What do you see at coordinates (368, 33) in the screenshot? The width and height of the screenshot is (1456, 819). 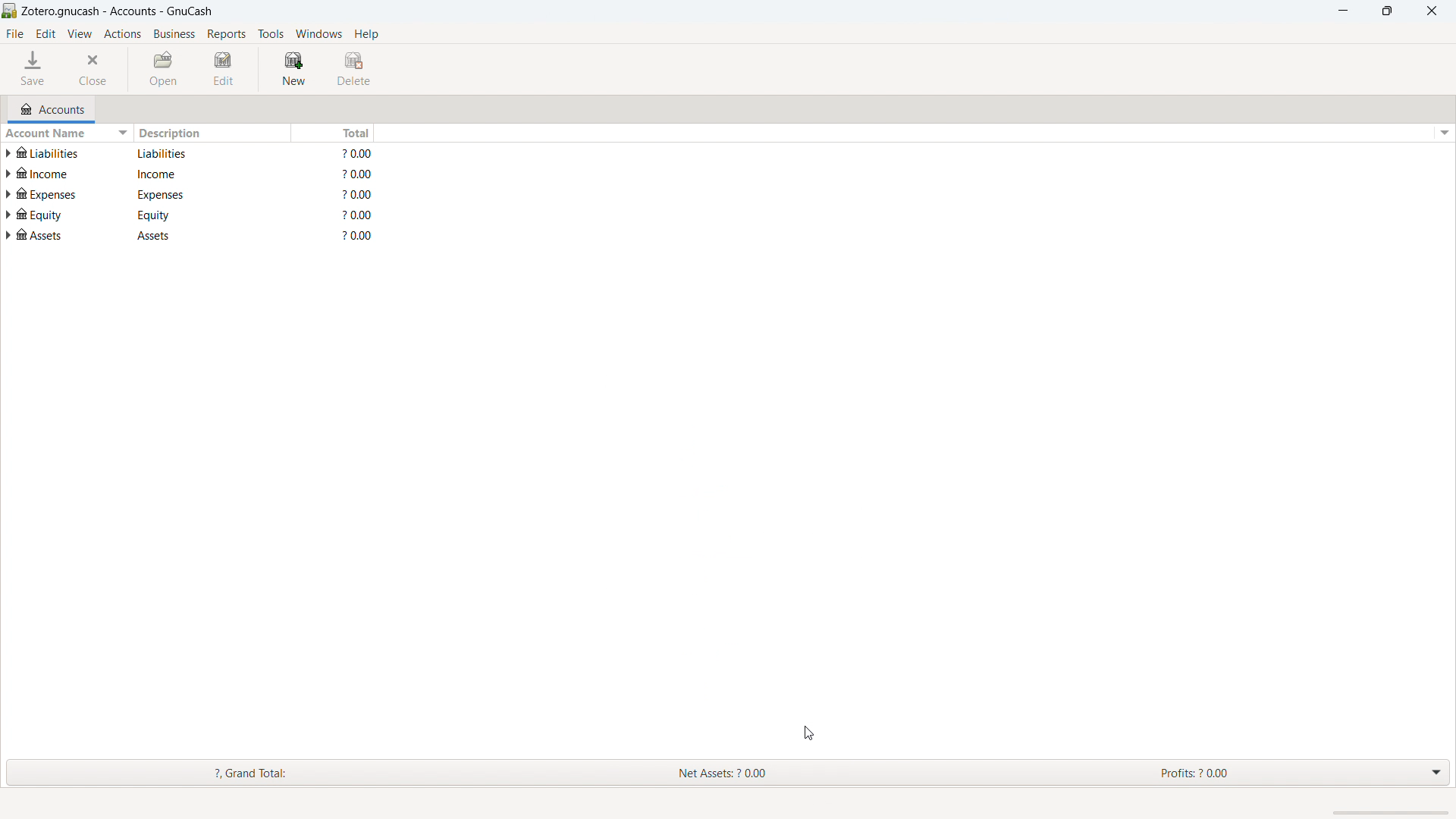 I see `help` at bounding box center [368, 33].